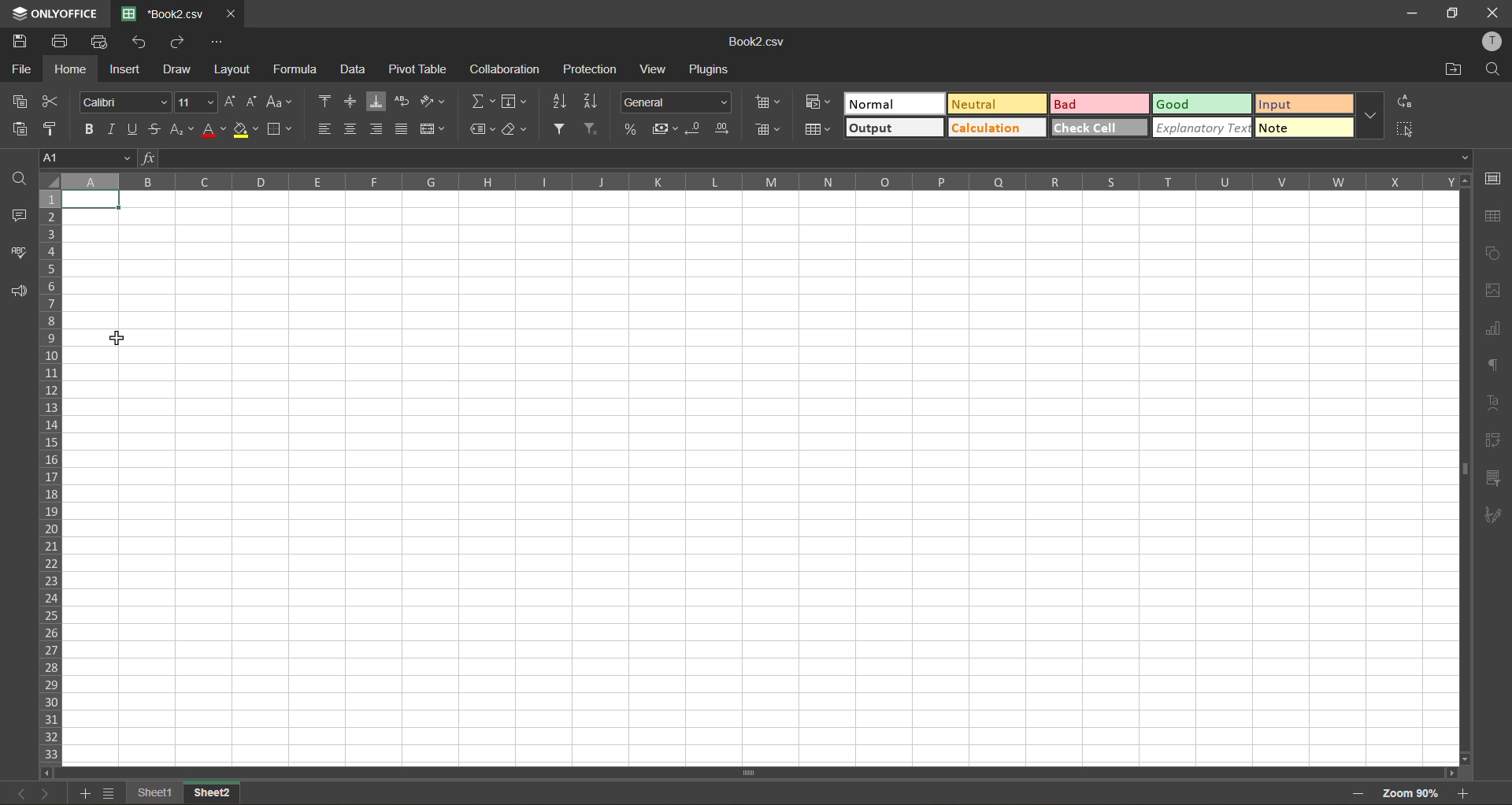  What do you see at coordinates (1494, 70) in the screenshot?
I see `find` at bounding box center [1494, 70].